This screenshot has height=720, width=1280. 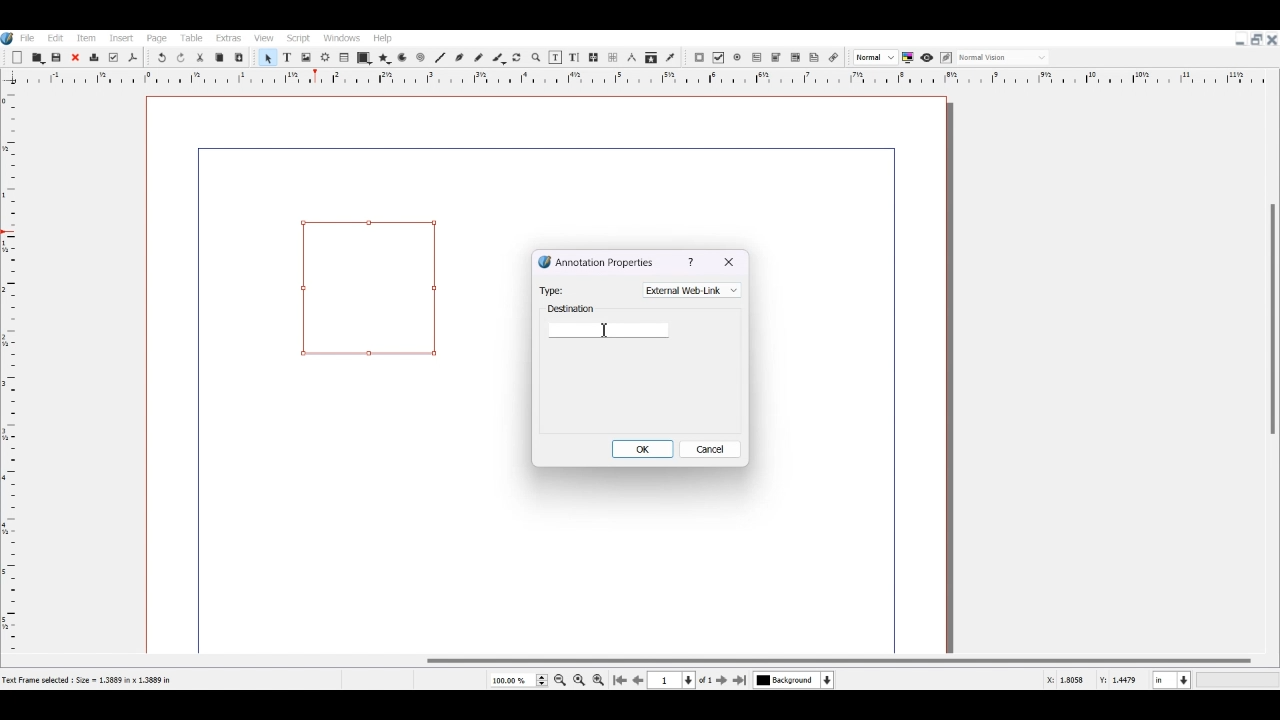 I want to click on Copy item properties, so click(x=651, y=59).